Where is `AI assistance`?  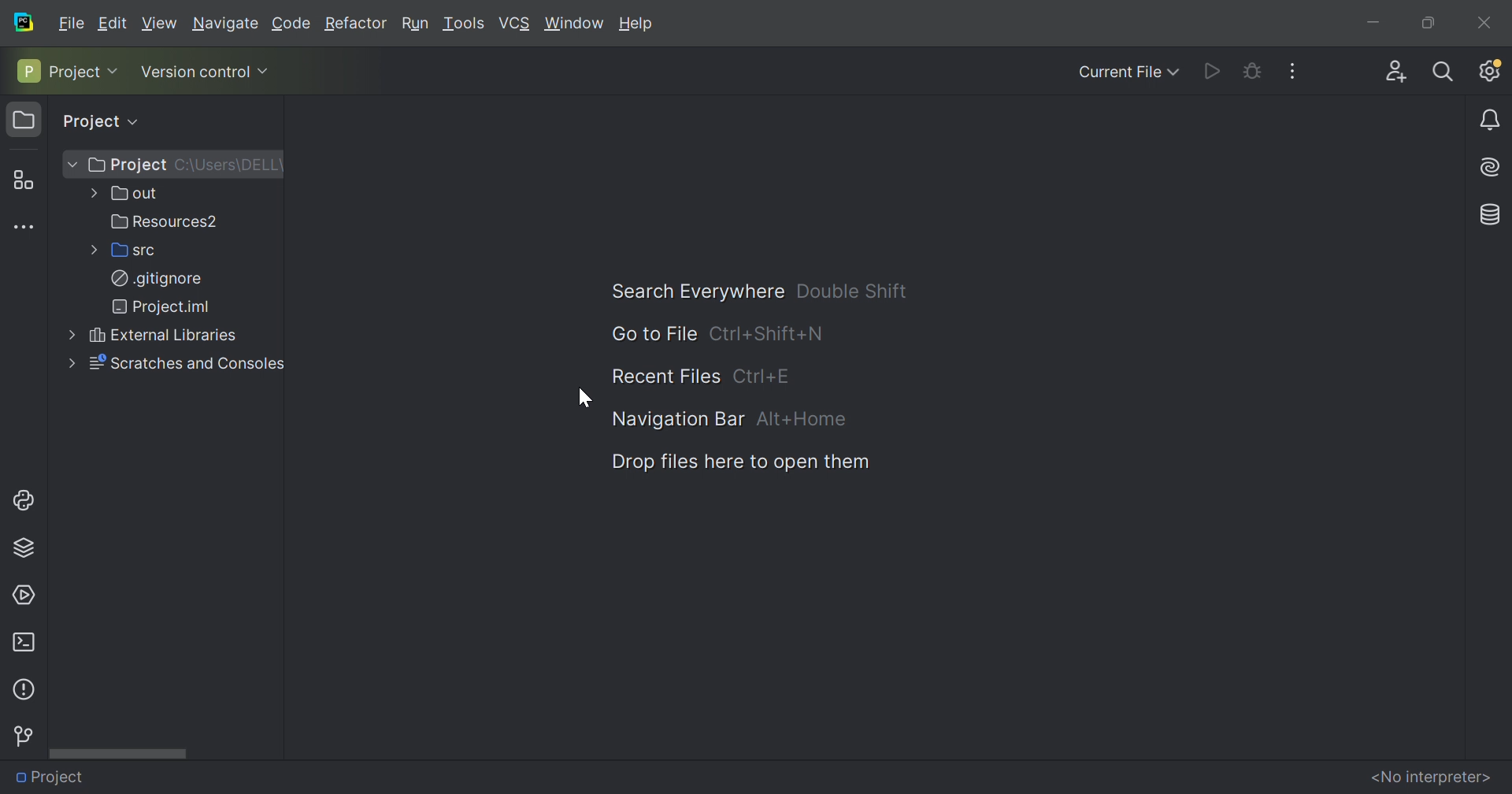 AI assistance is located at coordinates (1493, 165).